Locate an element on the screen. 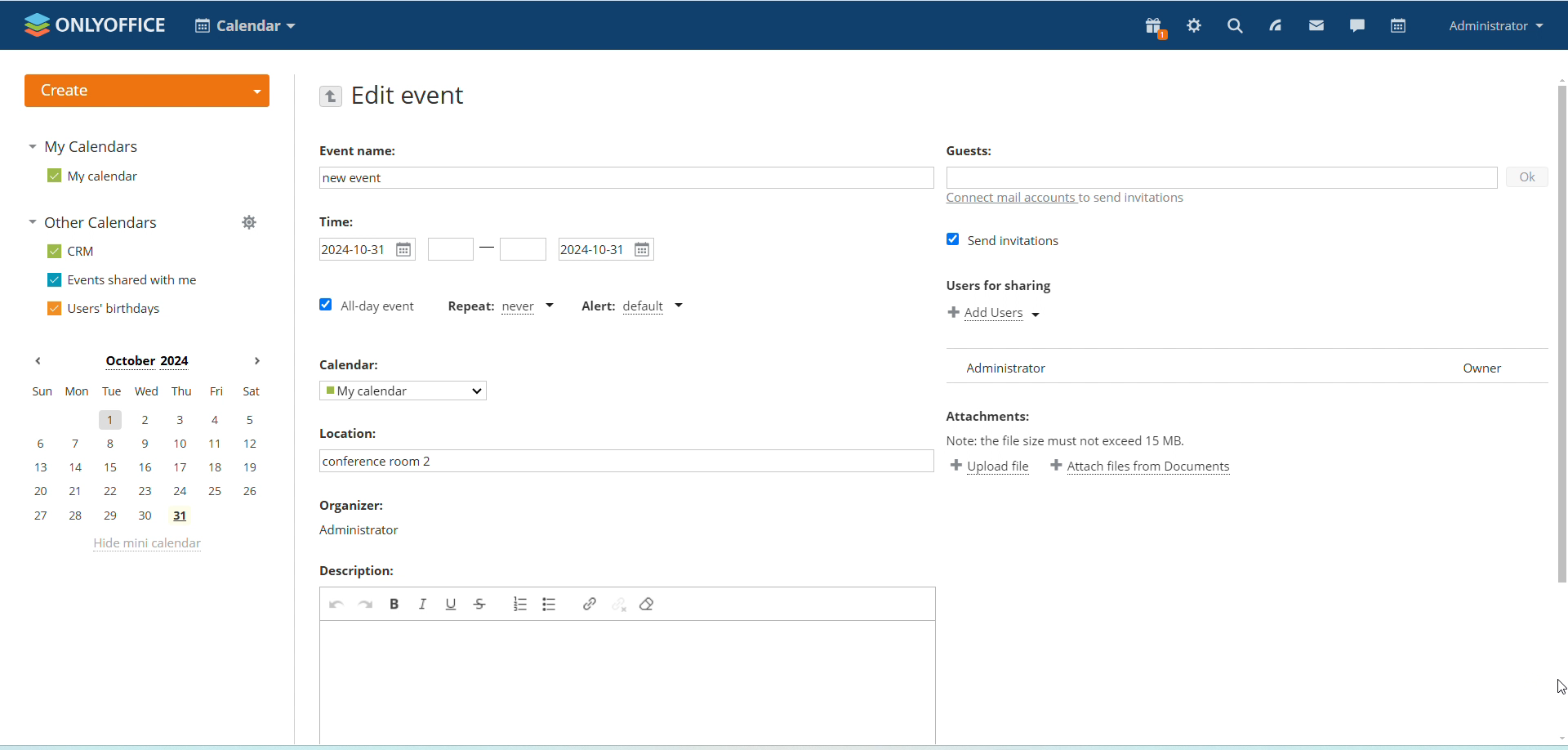 This screenshot has height=750, width=1568. user list is located at coordinates (1246, 367).